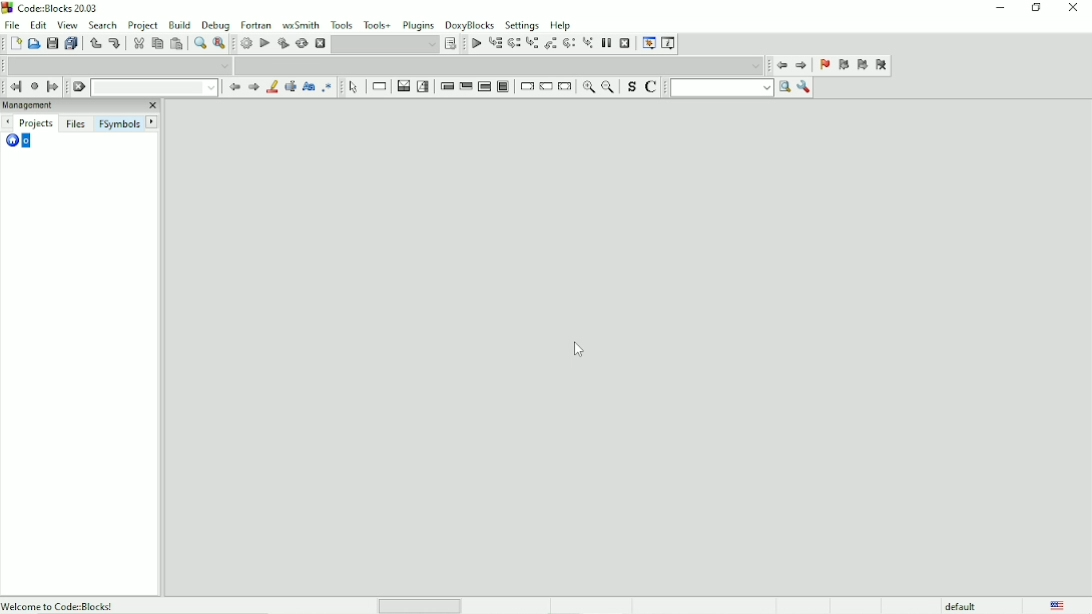 This screenshot has width=1092, height=614. What do you see at coordinates (780, 65) in the screenshot?
I see `Jump back` at bounding box center [780, 65].